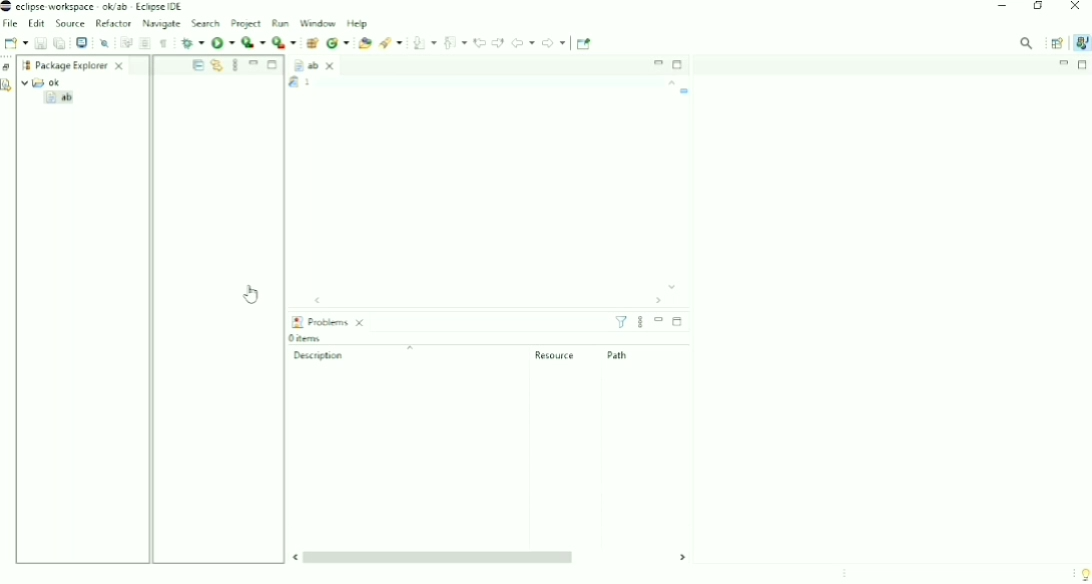 The image size is (1092, 584). I want to click on Access commands and other items, so click(1027, 43).